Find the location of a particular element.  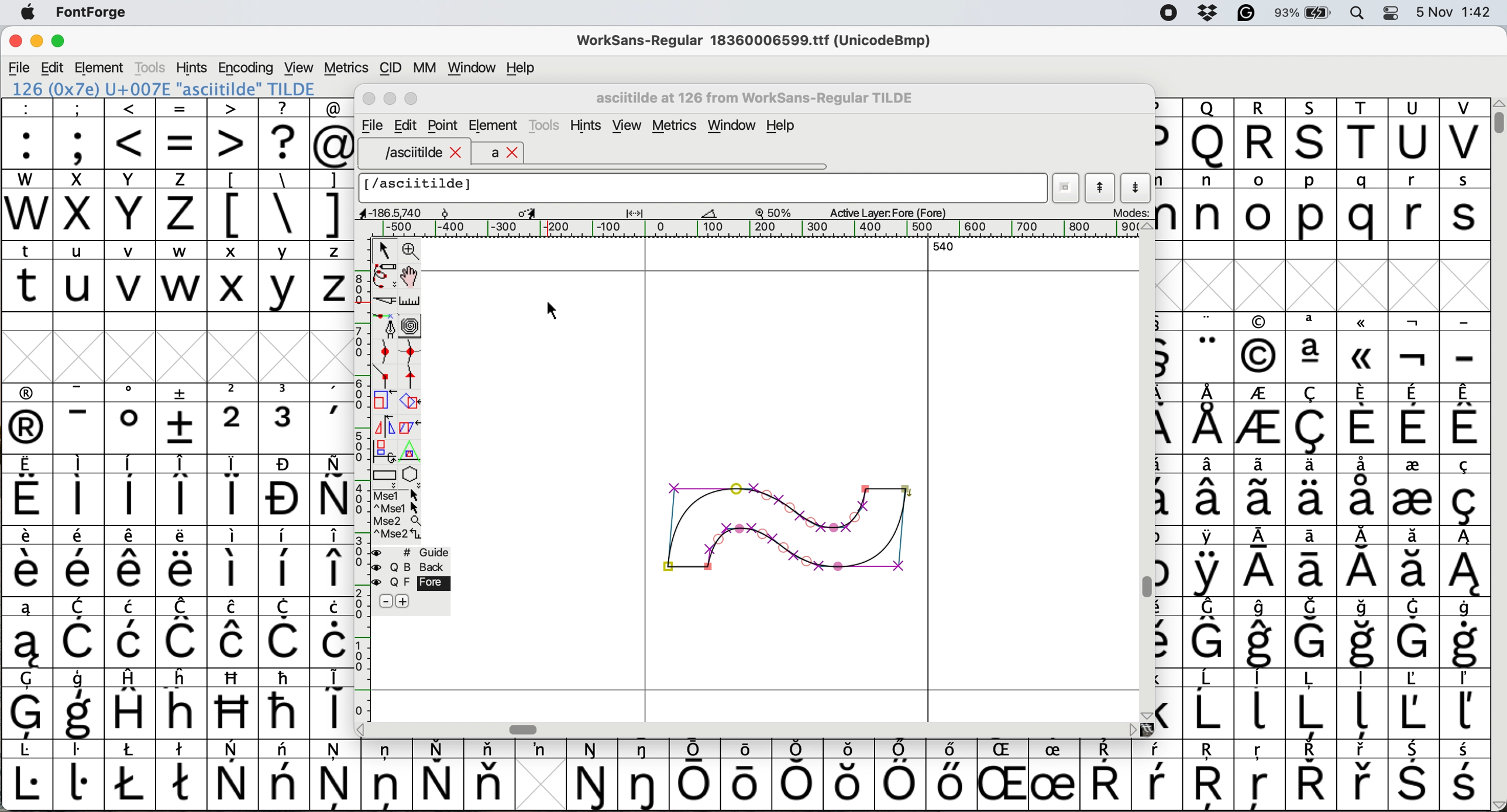

remove is located at coordinates (386, 602).